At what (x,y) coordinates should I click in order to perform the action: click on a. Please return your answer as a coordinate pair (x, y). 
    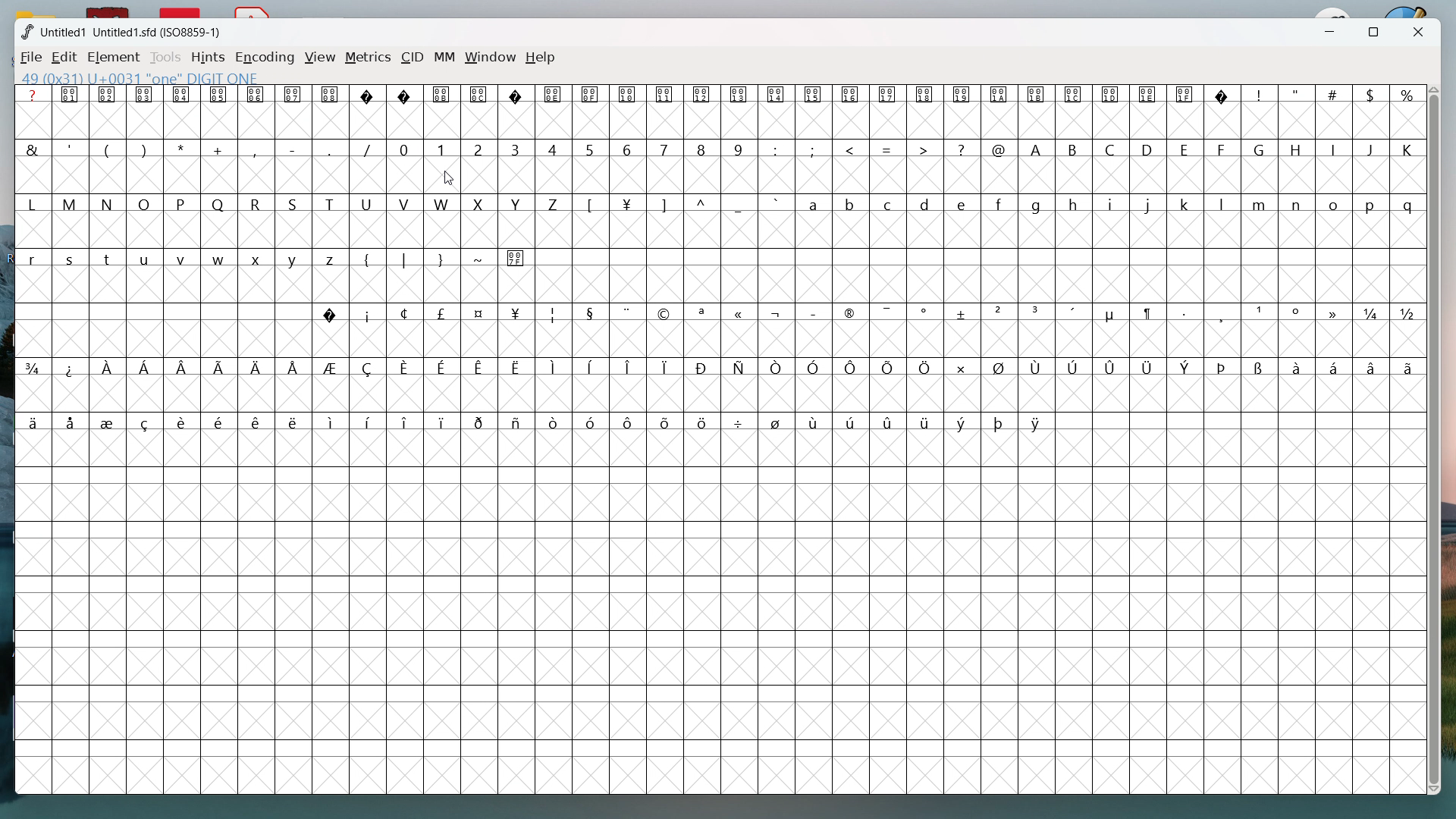
    Looking at the image, I should click on (816, 202).